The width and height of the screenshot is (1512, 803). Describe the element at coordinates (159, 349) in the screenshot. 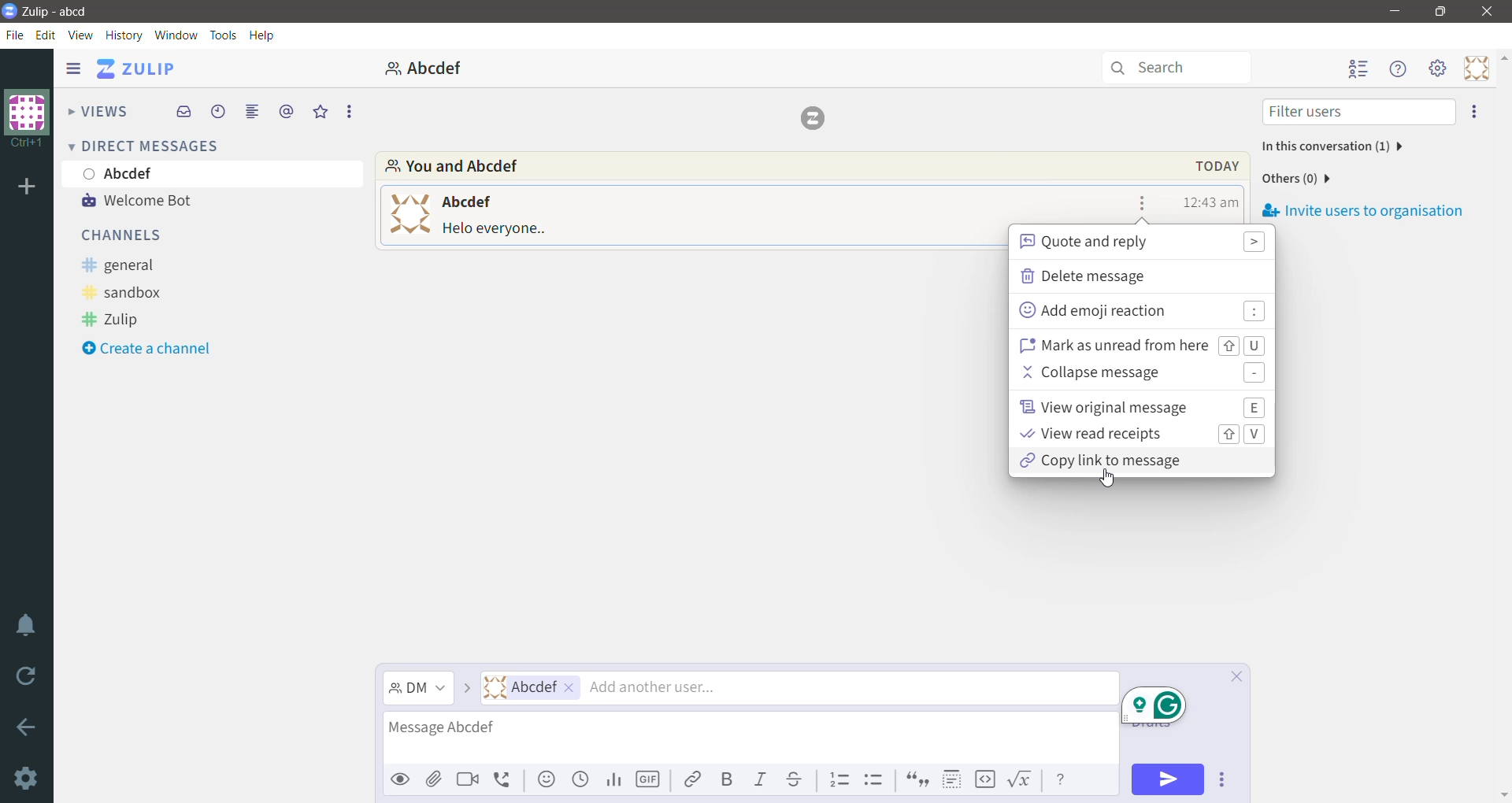

I see `Create a channel` at that location.